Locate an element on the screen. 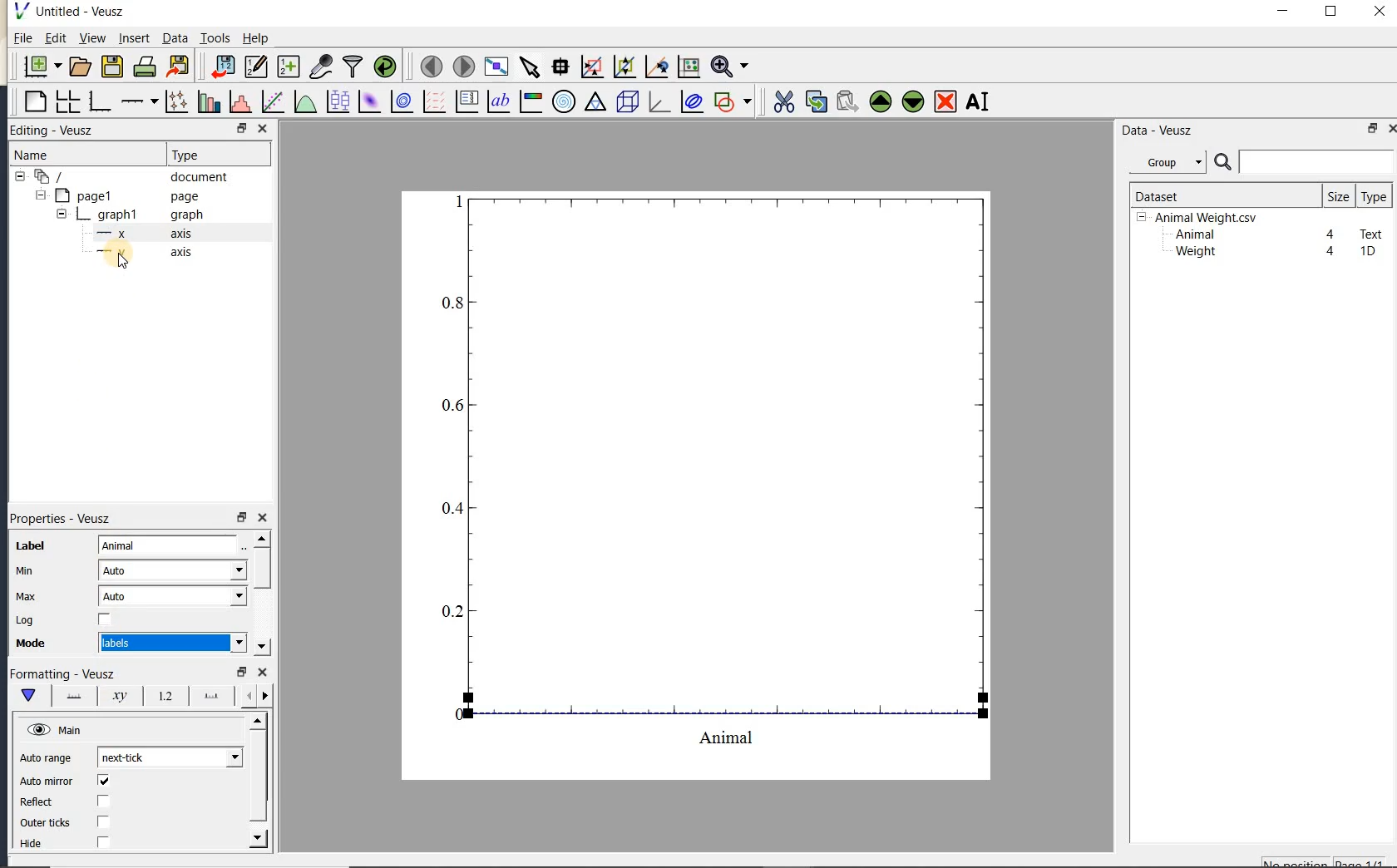 The height and width of the screenshot is (868, 1397). save the document is located at coordinates (111, 67).